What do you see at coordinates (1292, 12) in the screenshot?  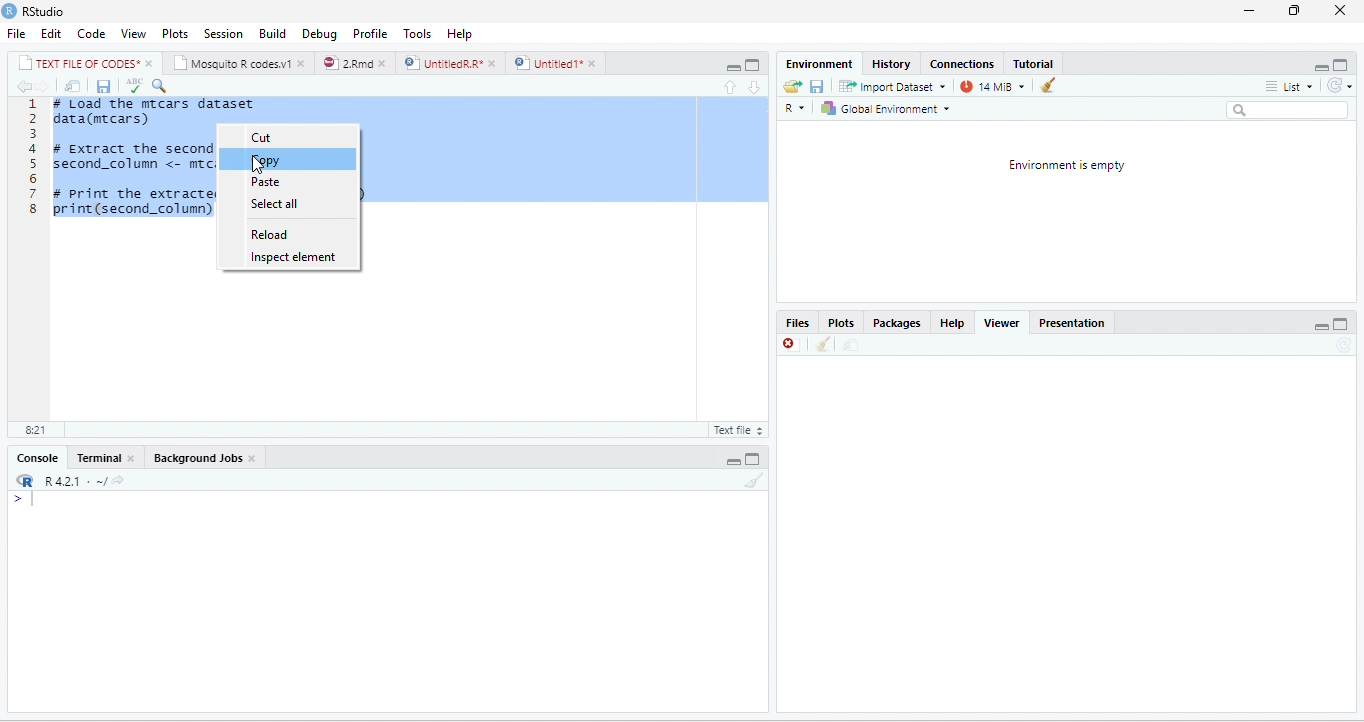 I see `restore down` at bounding box center [1292, 12].